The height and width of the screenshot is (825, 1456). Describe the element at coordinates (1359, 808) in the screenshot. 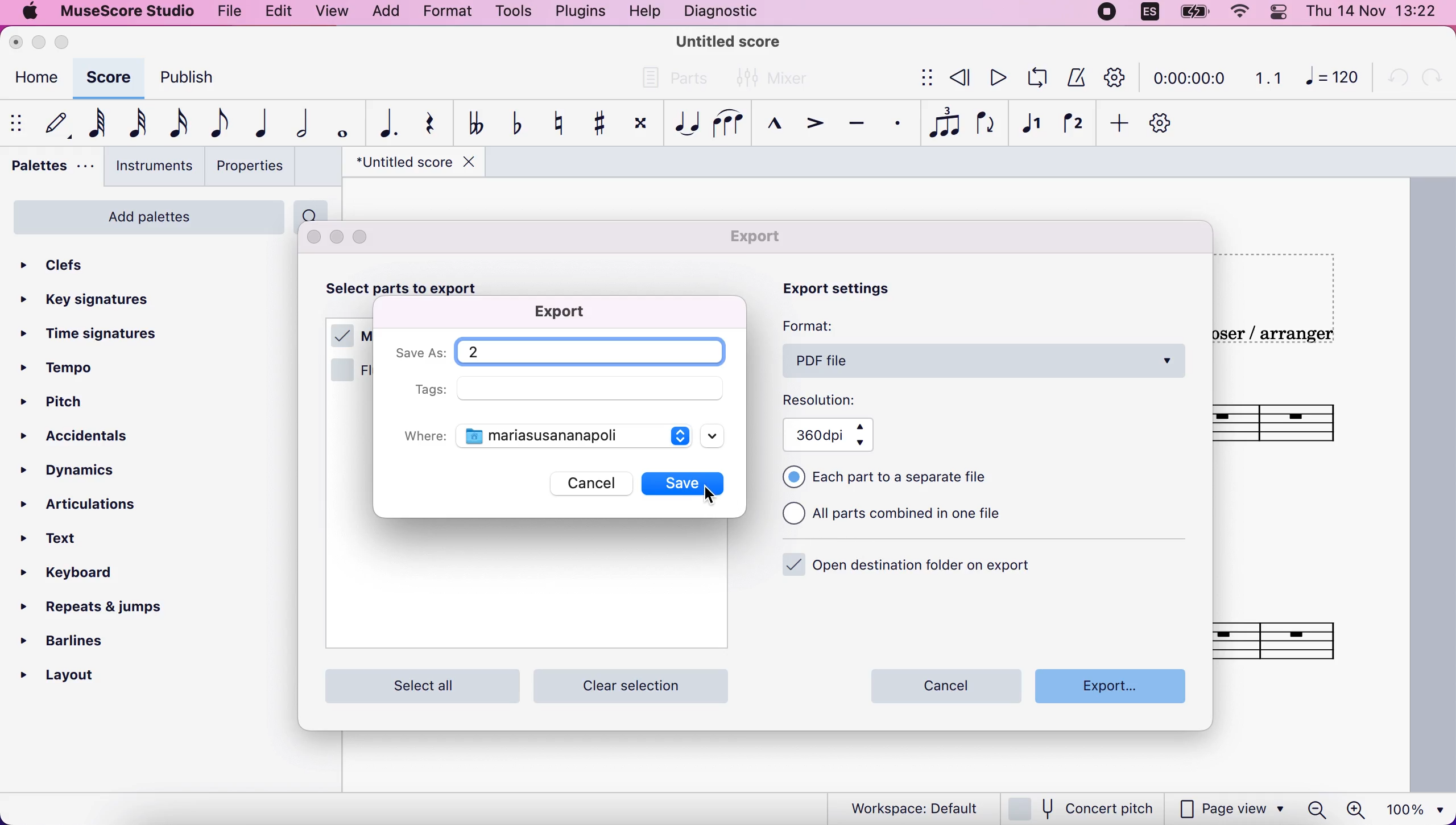

I see `zoom in` at that location.